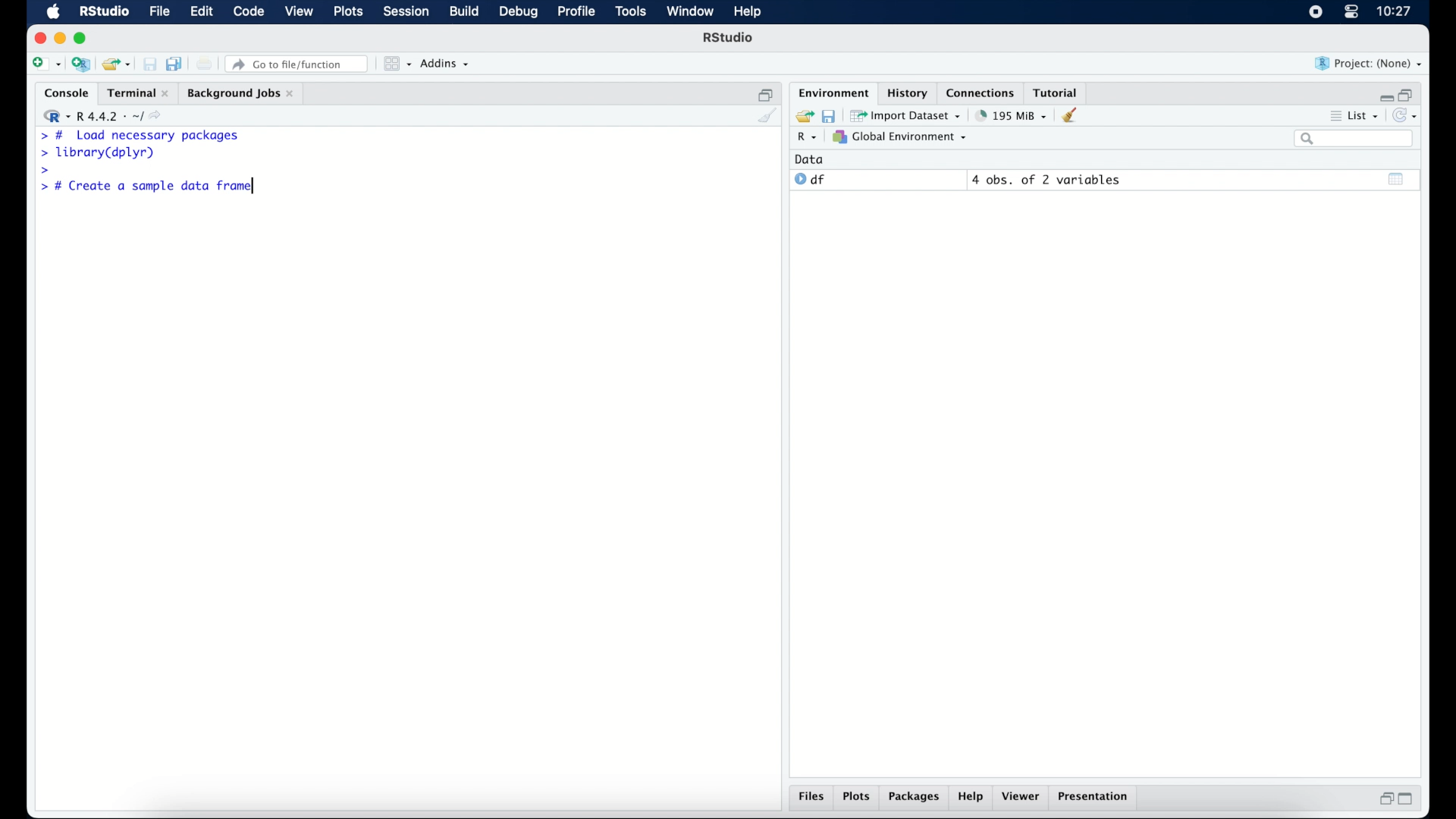 Image resolution: width=1456 pixels, height=819 pixels. I want to click on plots, so click(858, 798).